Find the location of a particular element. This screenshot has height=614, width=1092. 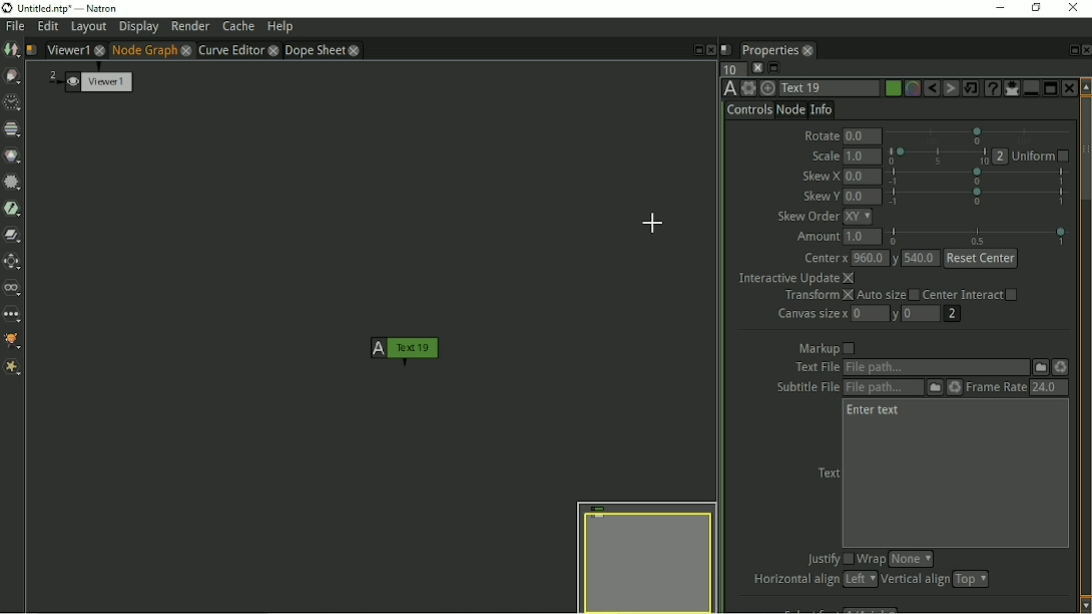

Text File is located at coordinates (936, 368).